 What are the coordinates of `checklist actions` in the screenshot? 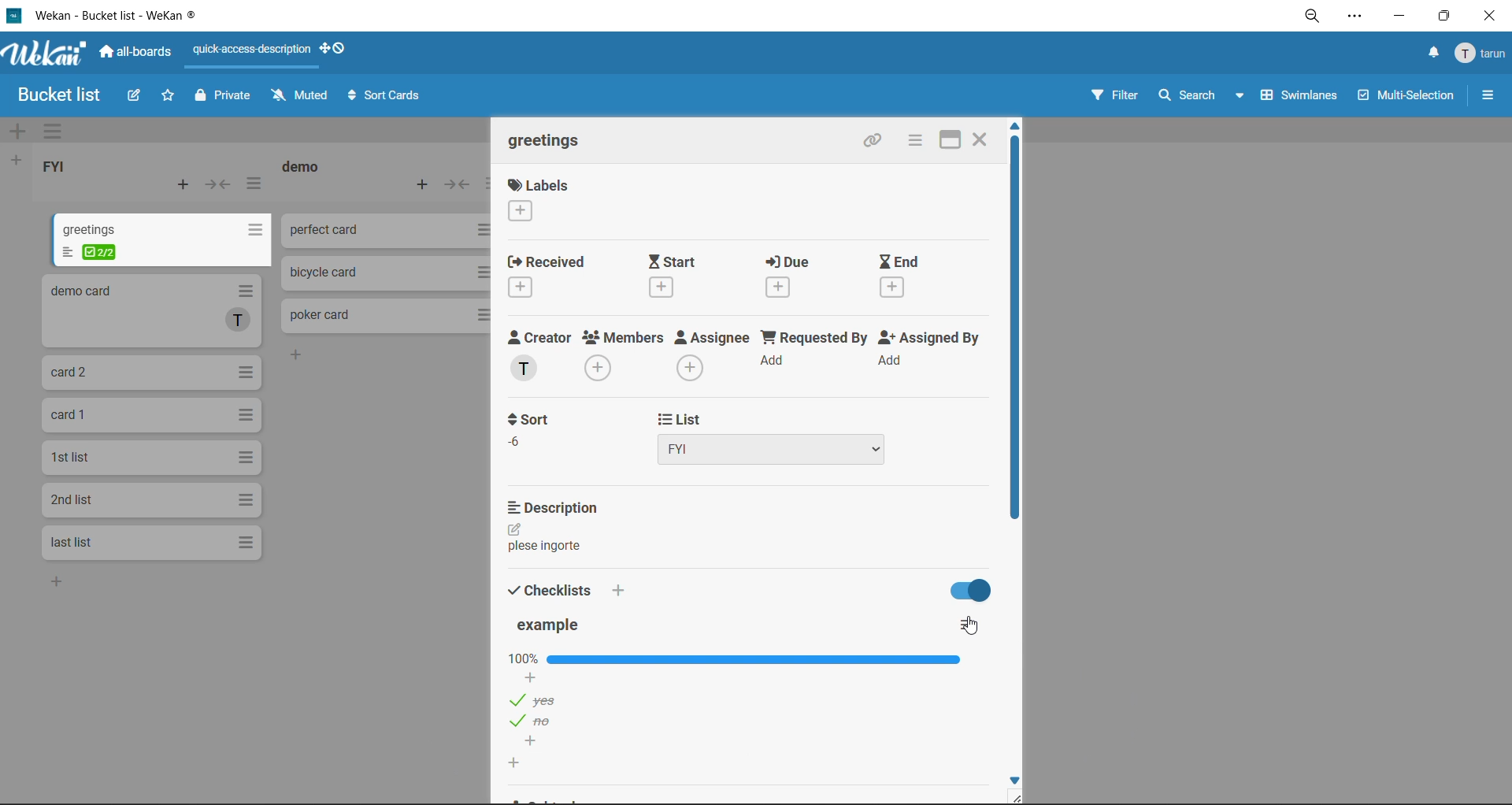 It's located at (968, 625).